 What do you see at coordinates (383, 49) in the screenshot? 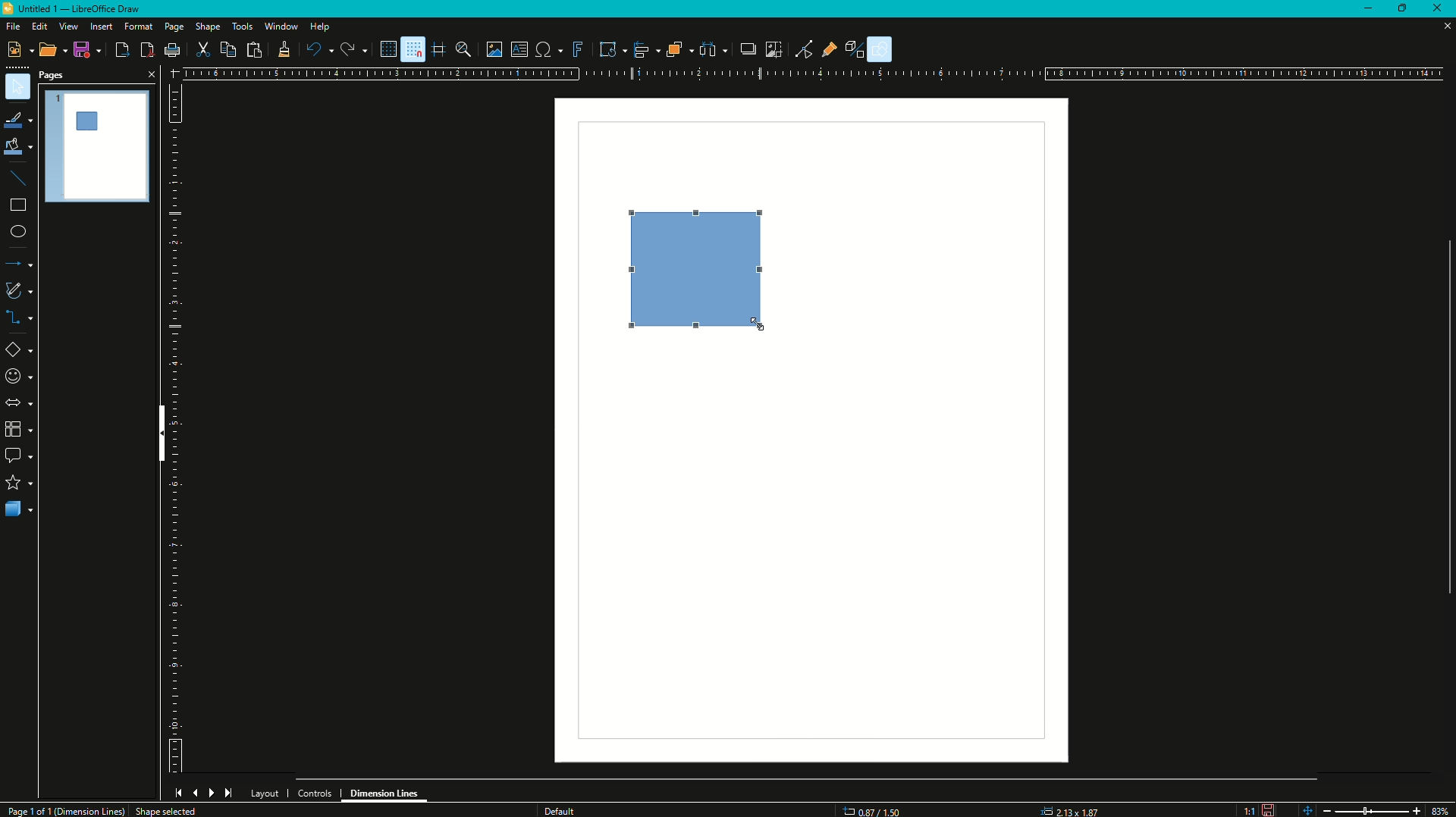
I see `Display Grid` at bounding box center [383, 49].